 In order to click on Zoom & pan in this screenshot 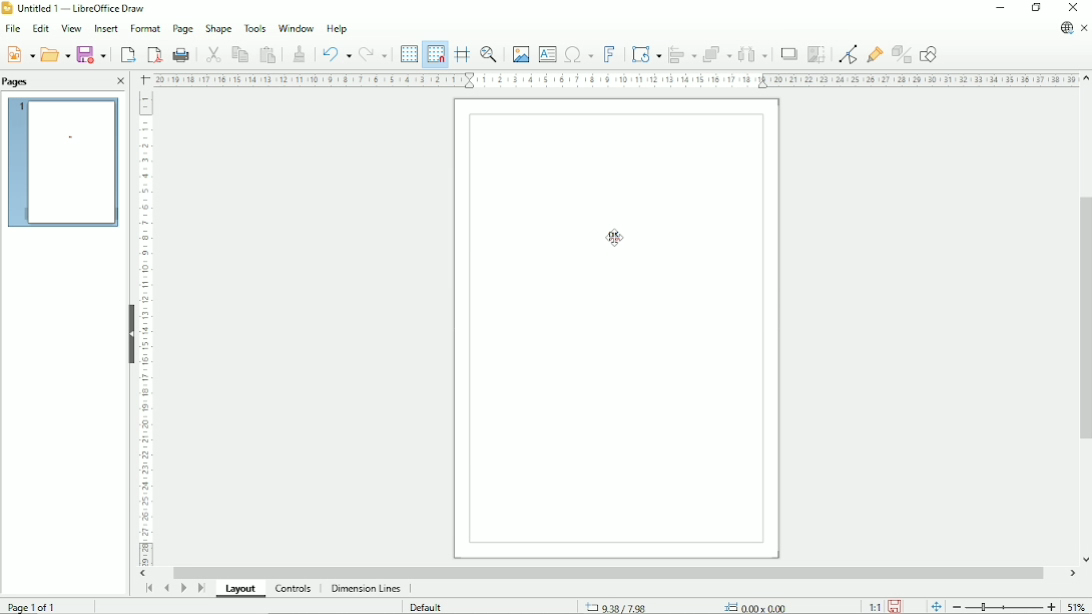, I will do `click(487, 53)`.